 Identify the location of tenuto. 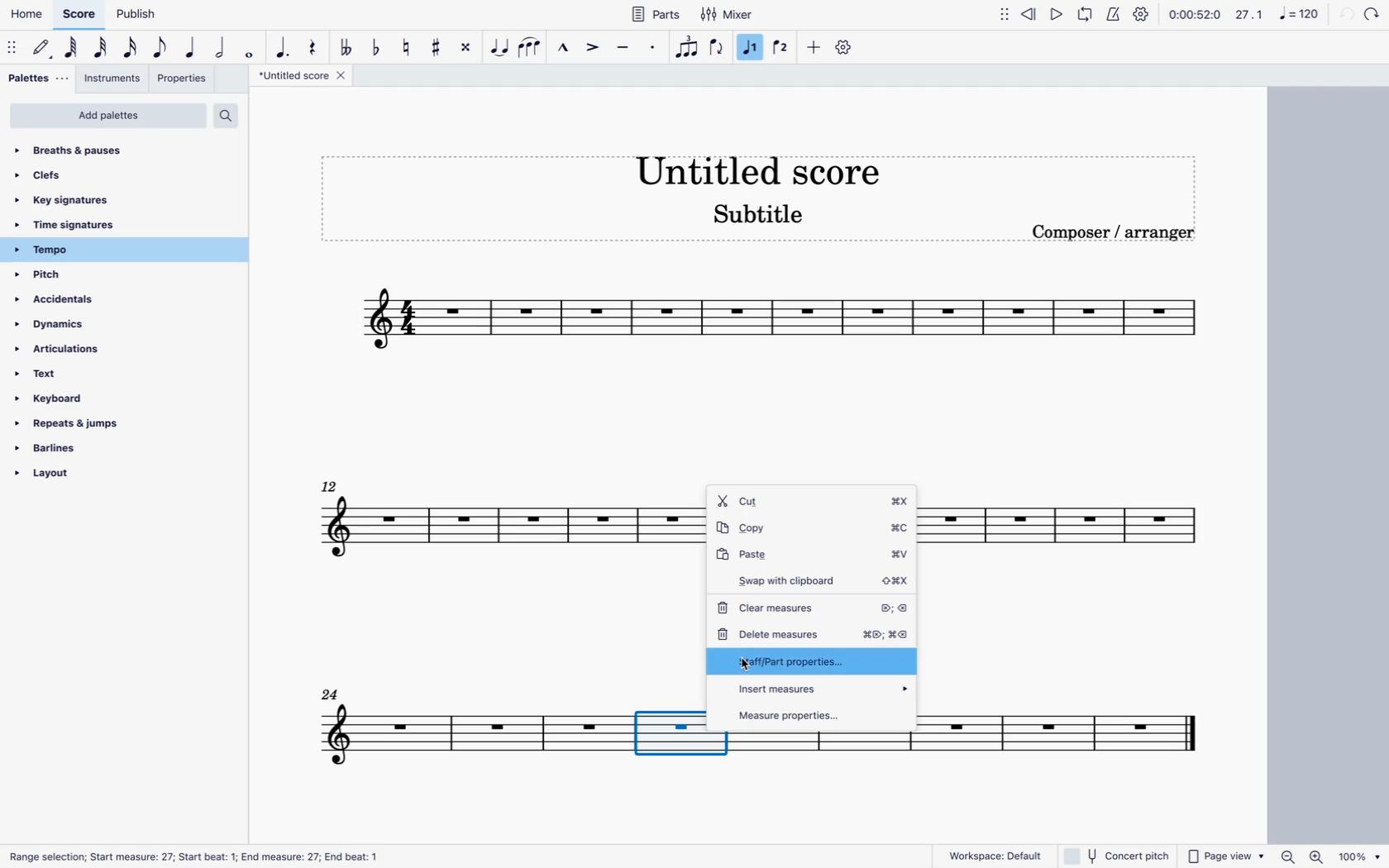
(625, 45).